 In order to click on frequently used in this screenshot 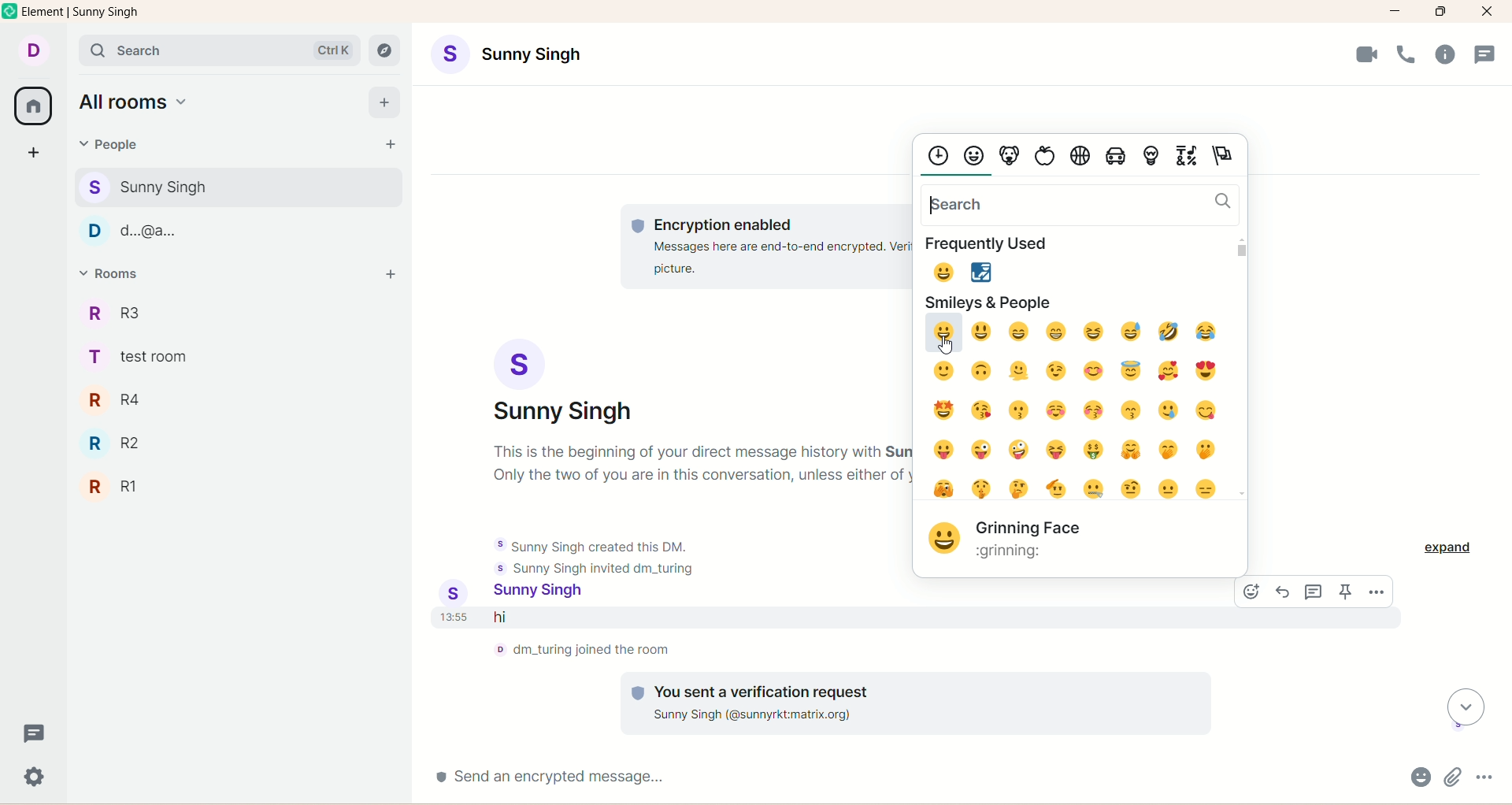, I will do `click(991, 244)`.